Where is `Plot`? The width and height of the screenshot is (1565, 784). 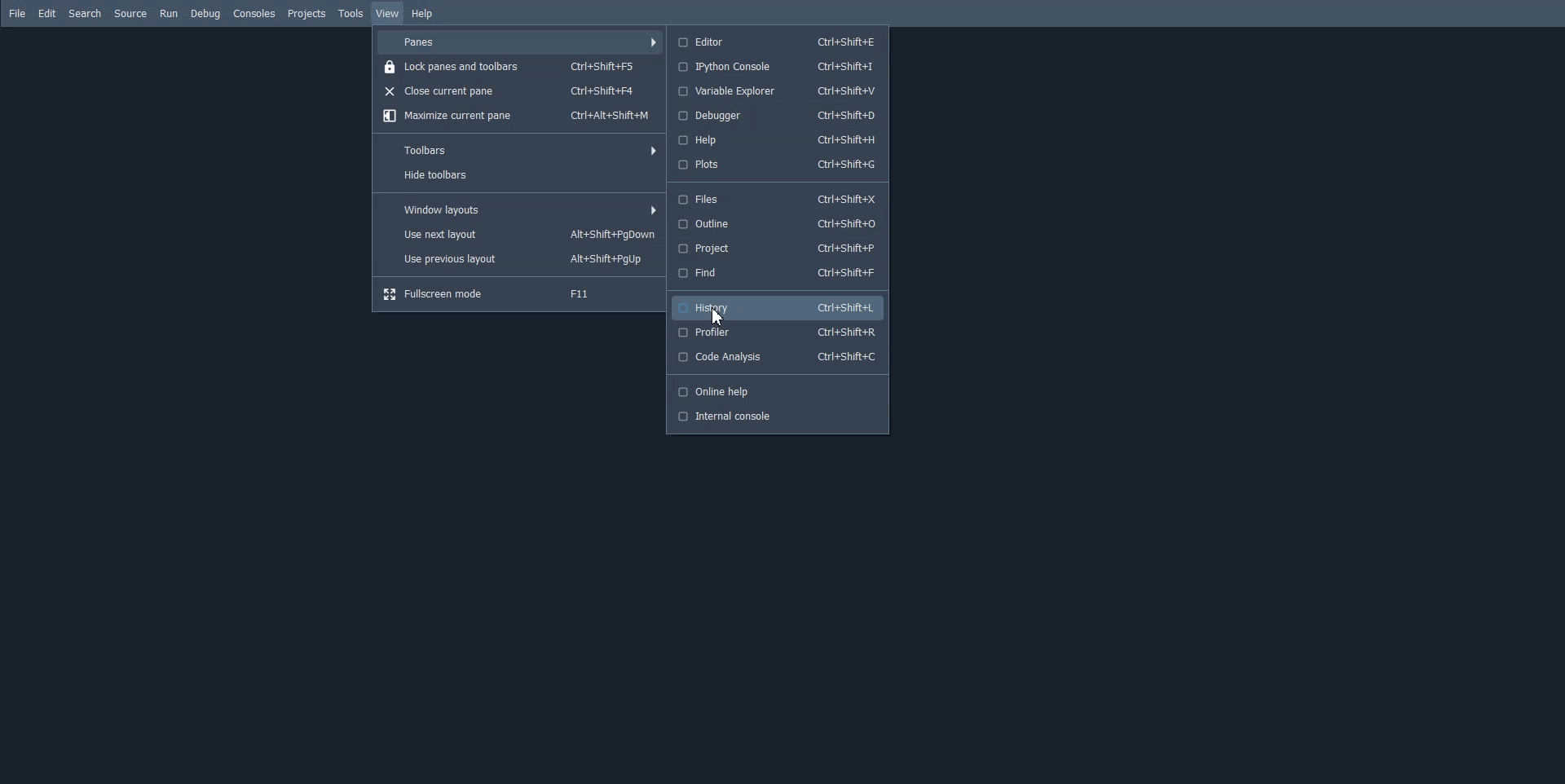
Plot is located at coordinates (775, 165).